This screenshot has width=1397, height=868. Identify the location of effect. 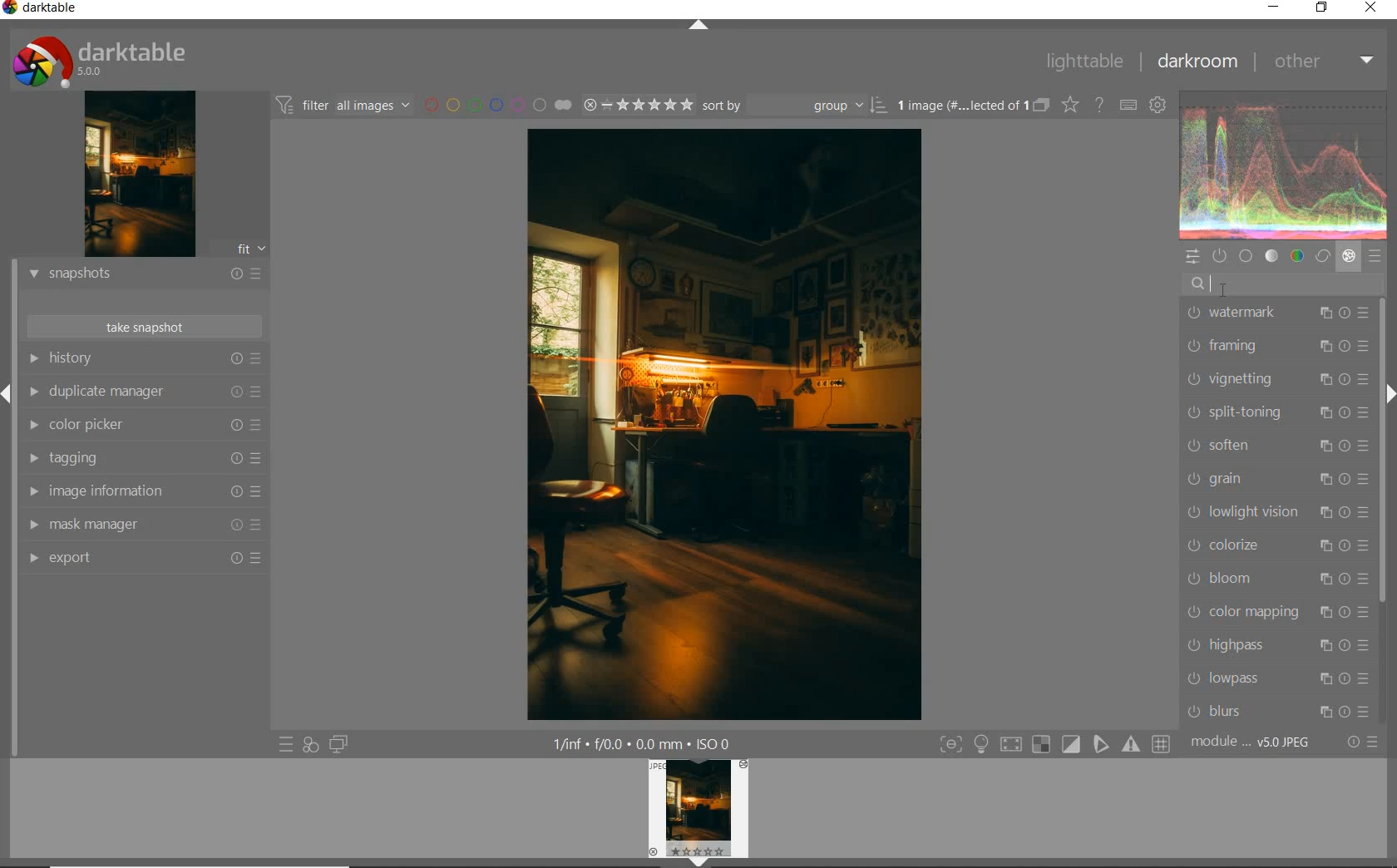
(1349, 255).